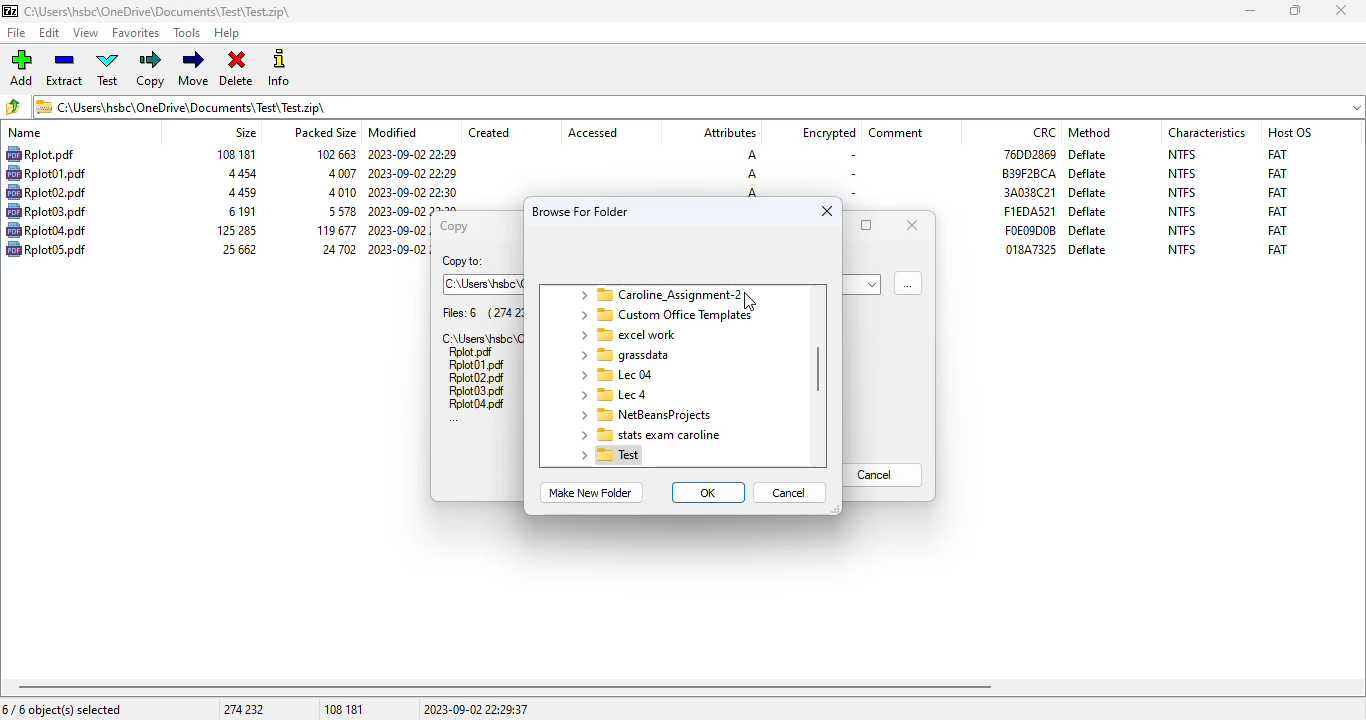  I want to click on modified date & time, so click(412, 155).